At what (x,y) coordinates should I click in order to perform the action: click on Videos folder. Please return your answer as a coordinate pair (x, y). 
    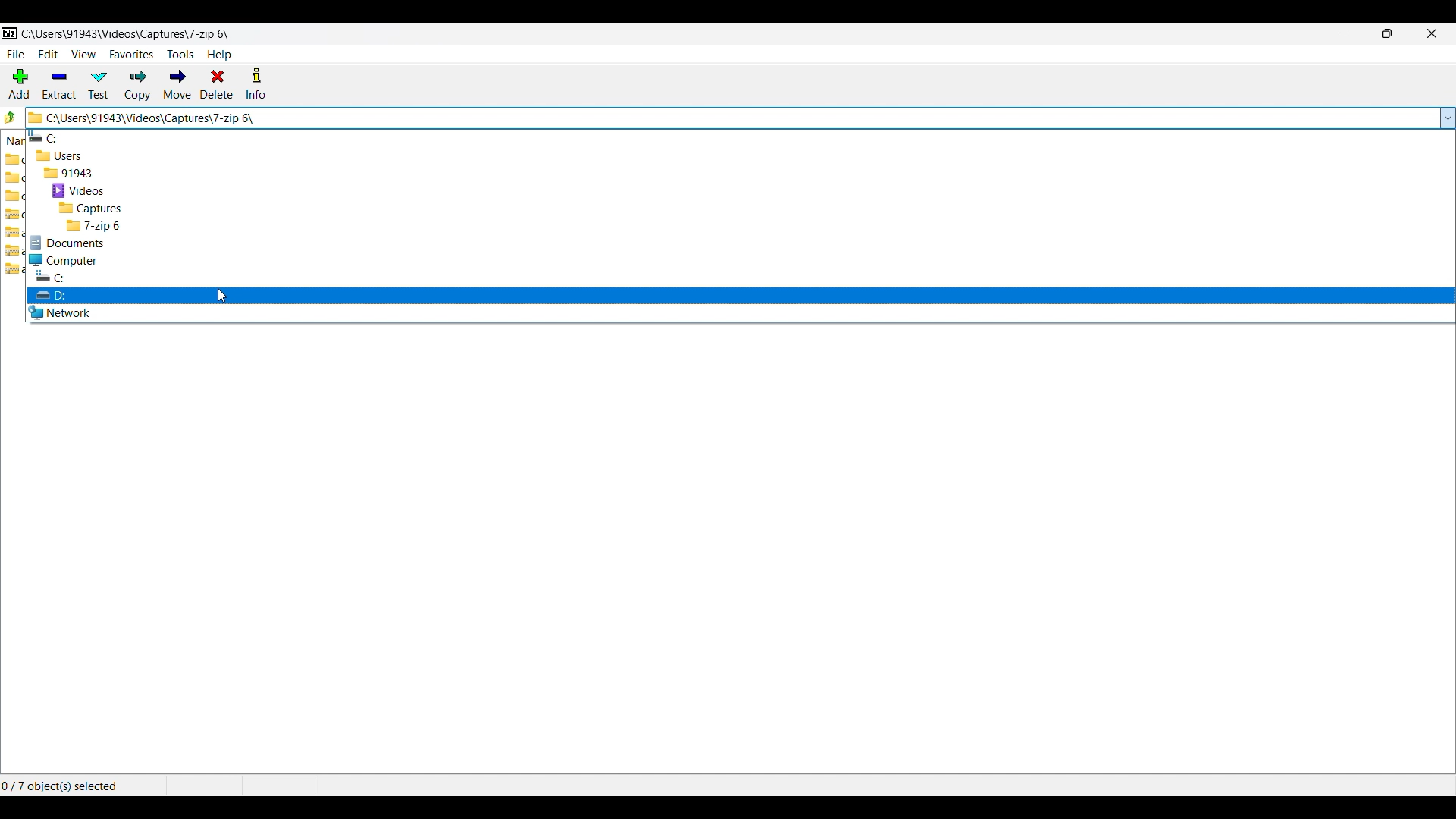
    Looking at the image, I should click on (740, 191).